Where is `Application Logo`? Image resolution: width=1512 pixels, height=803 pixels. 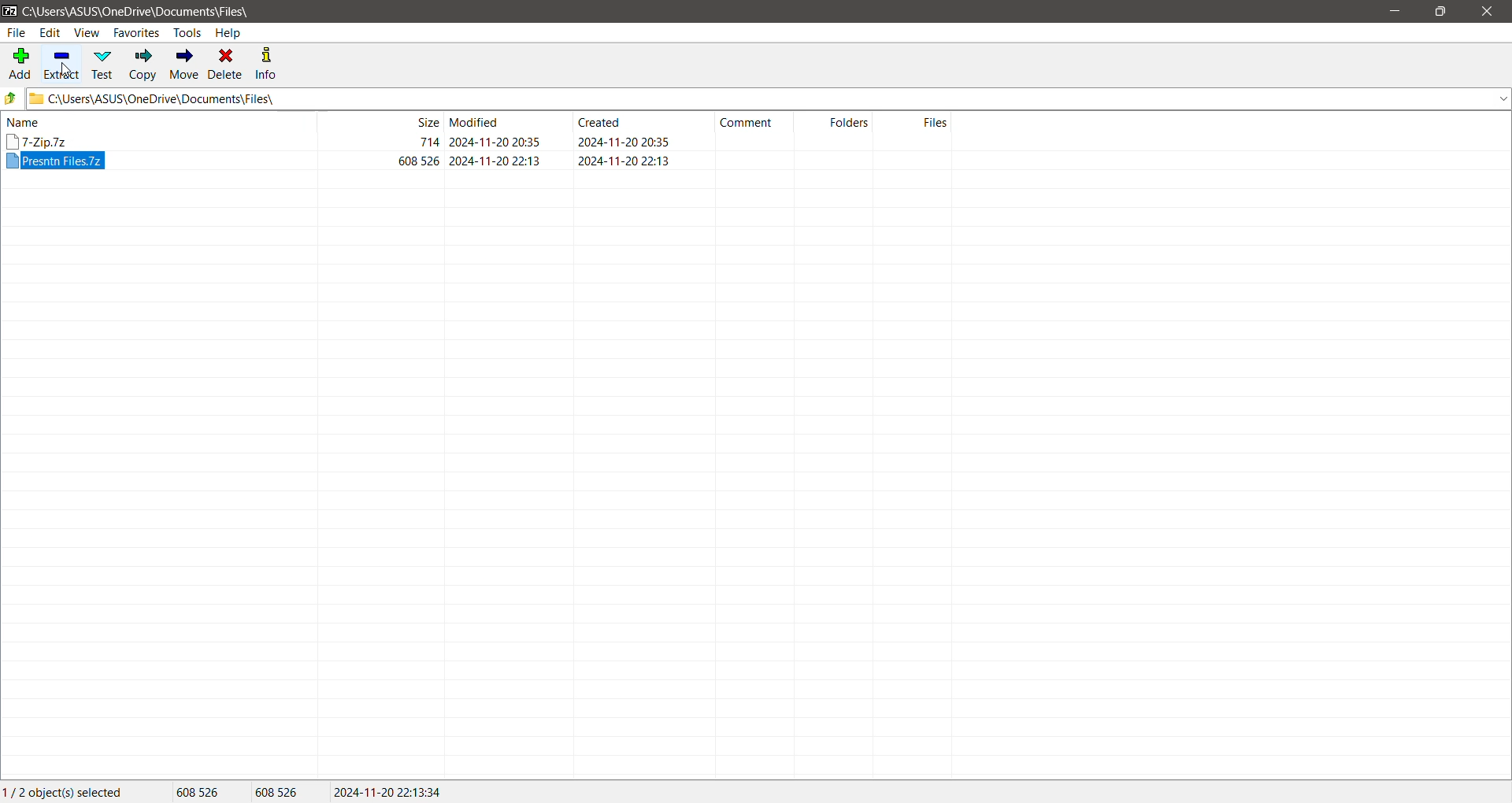
Application Logo is located at coordinates (9, 10).